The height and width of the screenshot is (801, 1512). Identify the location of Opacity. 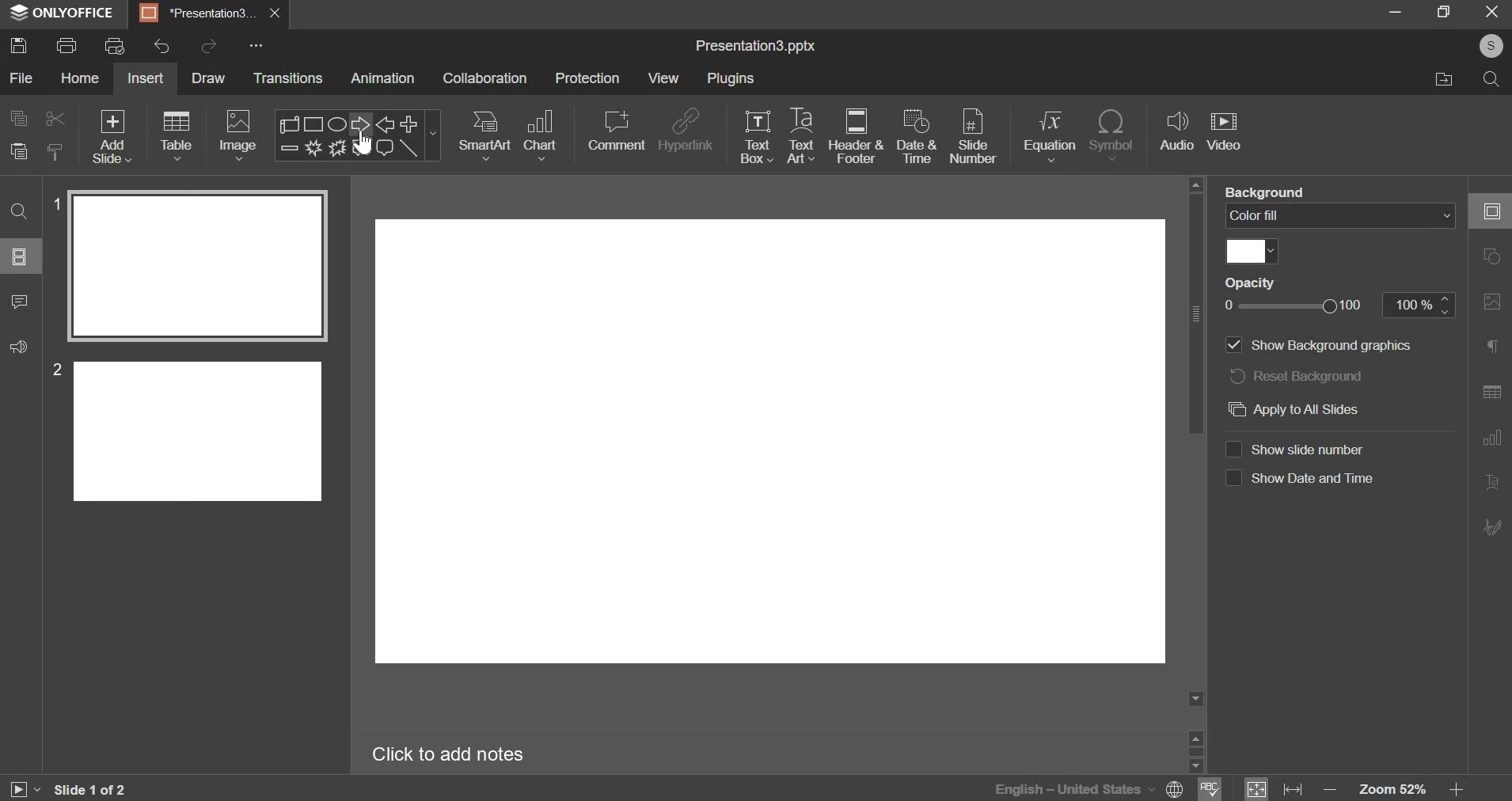
(1250, 282).